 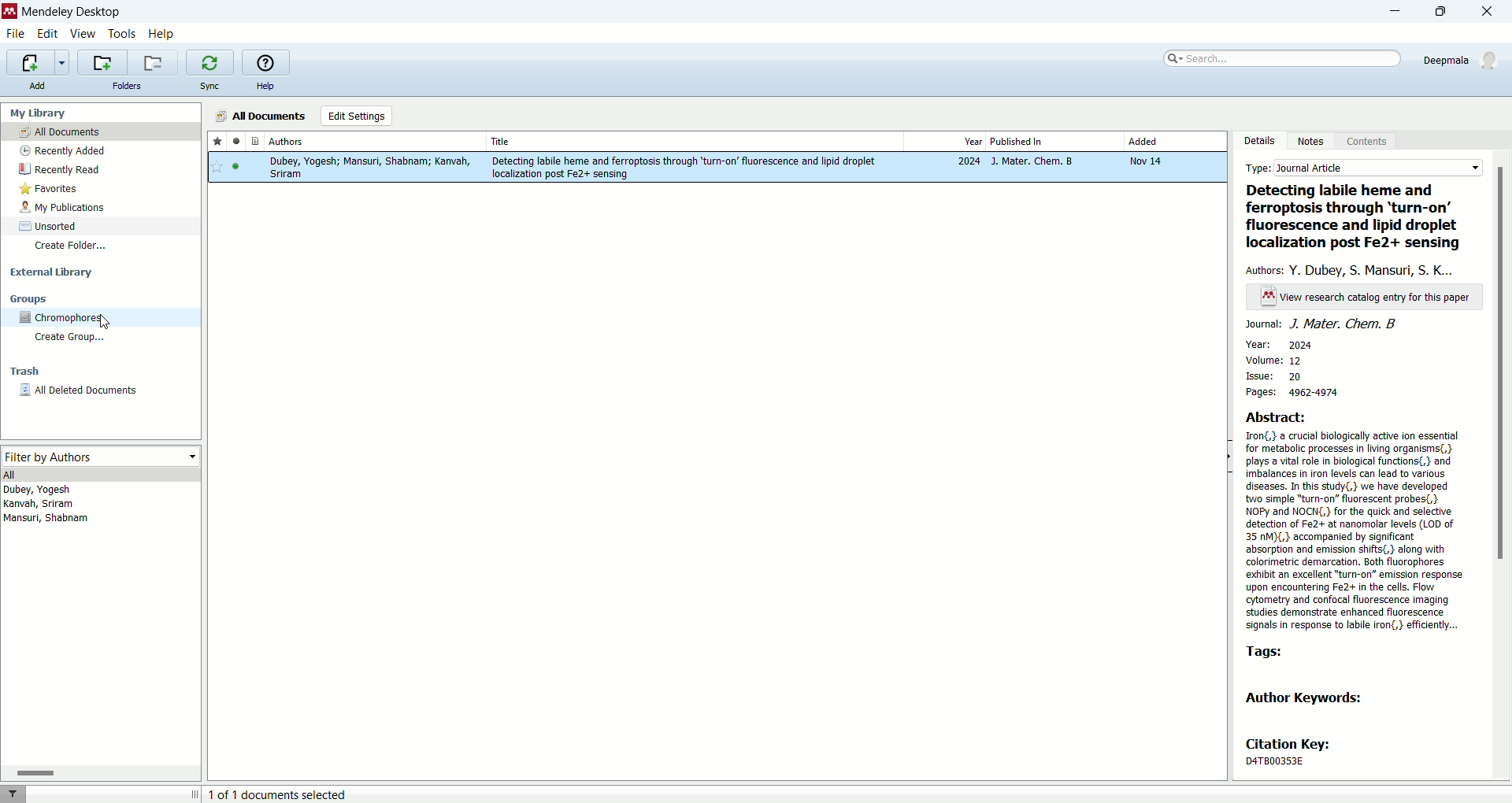 What do you see at coordinates (1264, 652) in the screenshot?
I see `tags` at bounding box center [1264, 652].